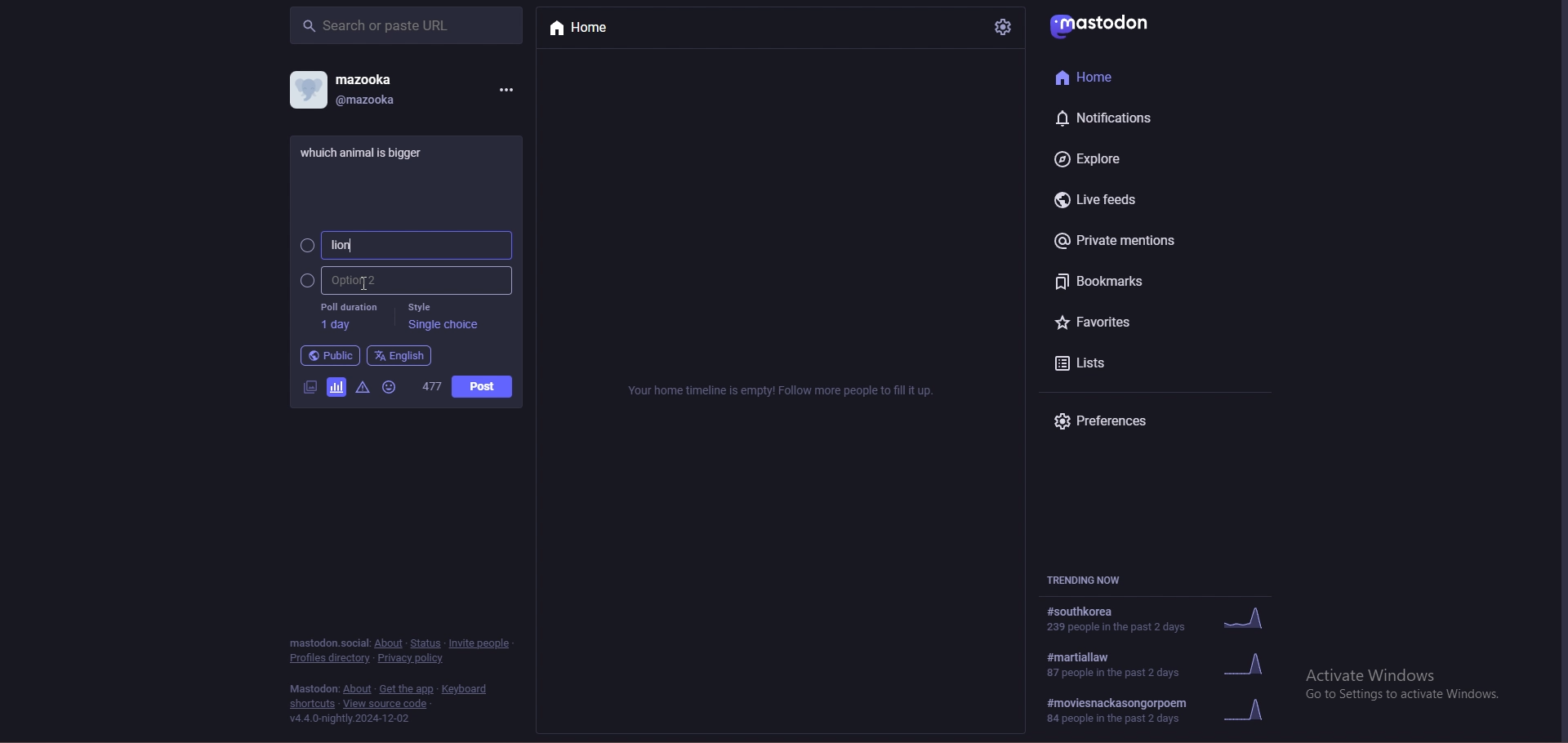 Image resolution: width=1568 pixels, height=743 pixels. What do you see at coordinates (327, 642) in the screenshot?
I see `mastodon` at bounding box center [327, 642].